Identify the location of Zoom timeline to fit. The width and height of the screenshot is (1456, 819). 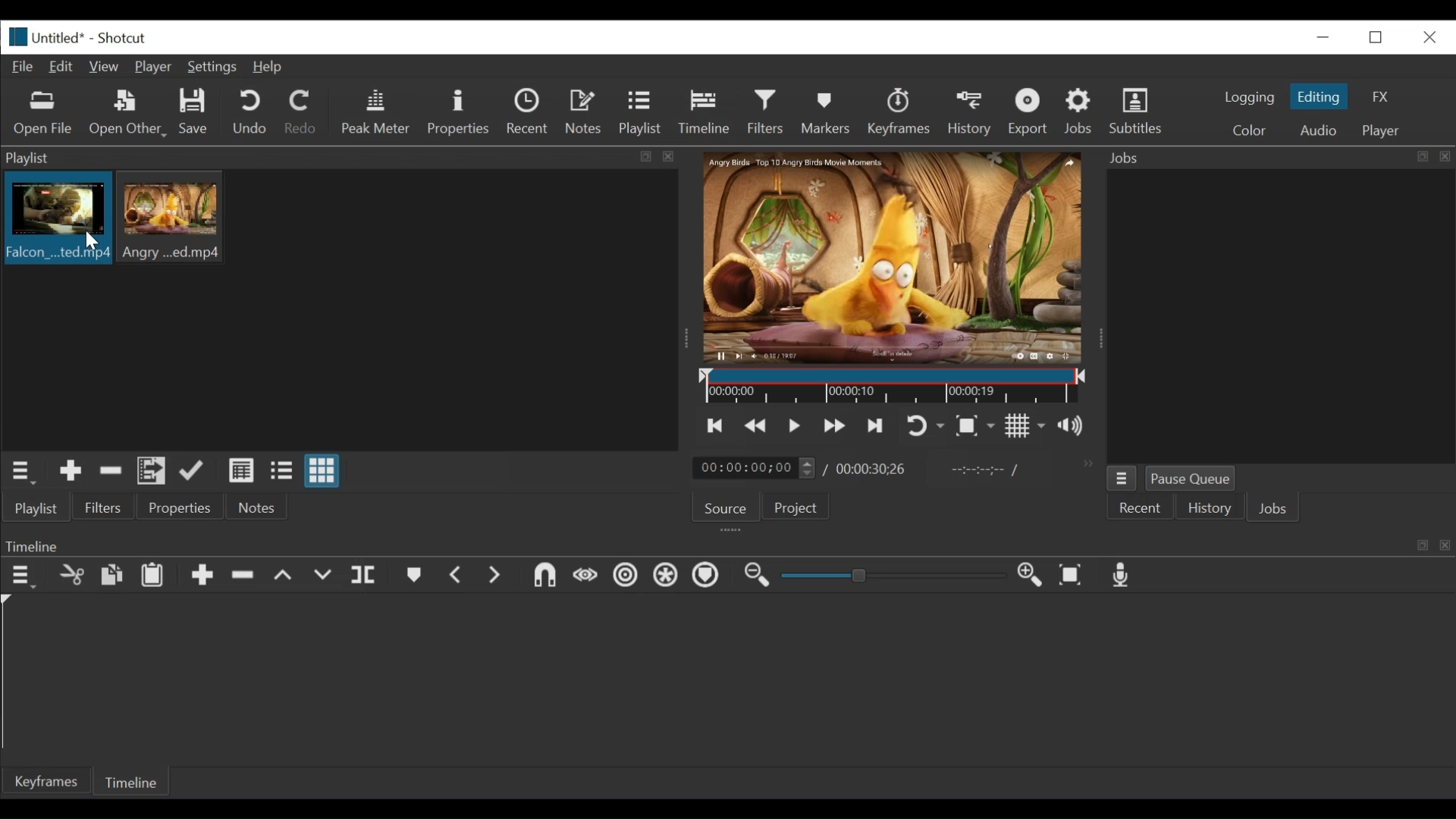
(1075, 576).